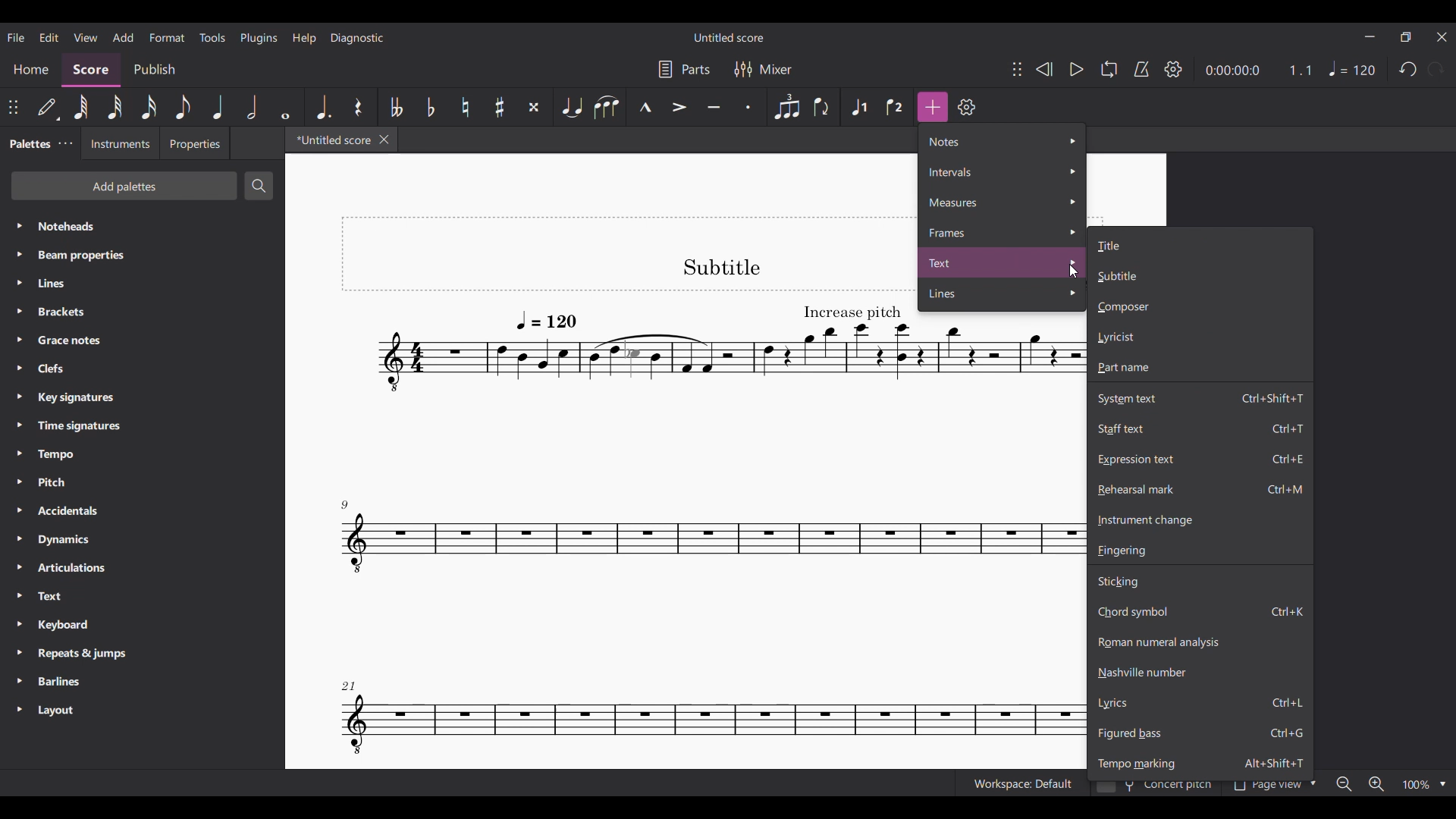 The width and height of the screenshot is (1456, 819). What do you see at coordinates (570, 107) in the screenshot?
I see `Tie` at bounding box center [570, 107].